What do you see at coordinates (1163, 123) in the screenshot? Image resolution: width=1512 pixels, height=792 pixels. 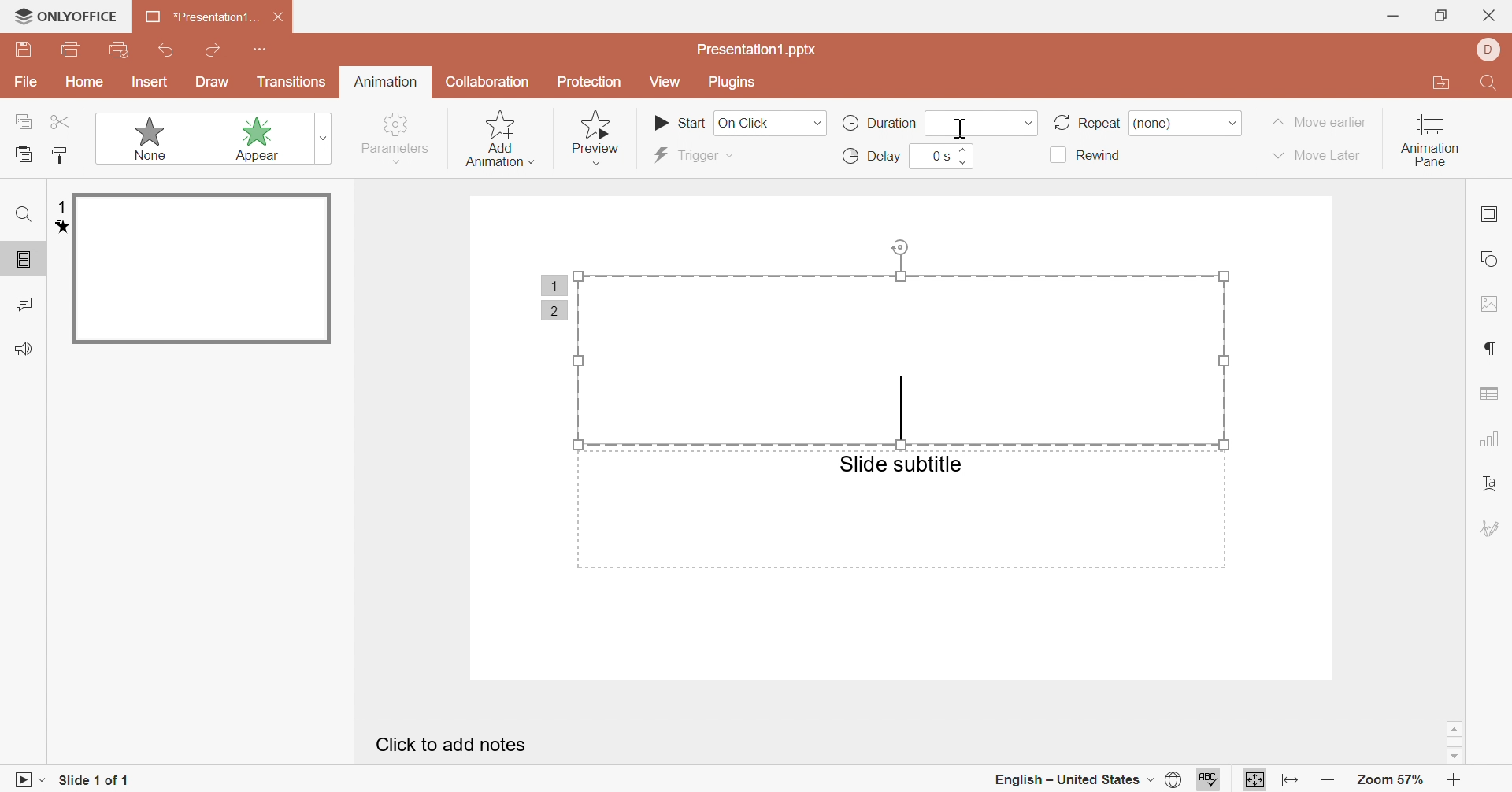 I see `none` at bounding box center [1163, 123].